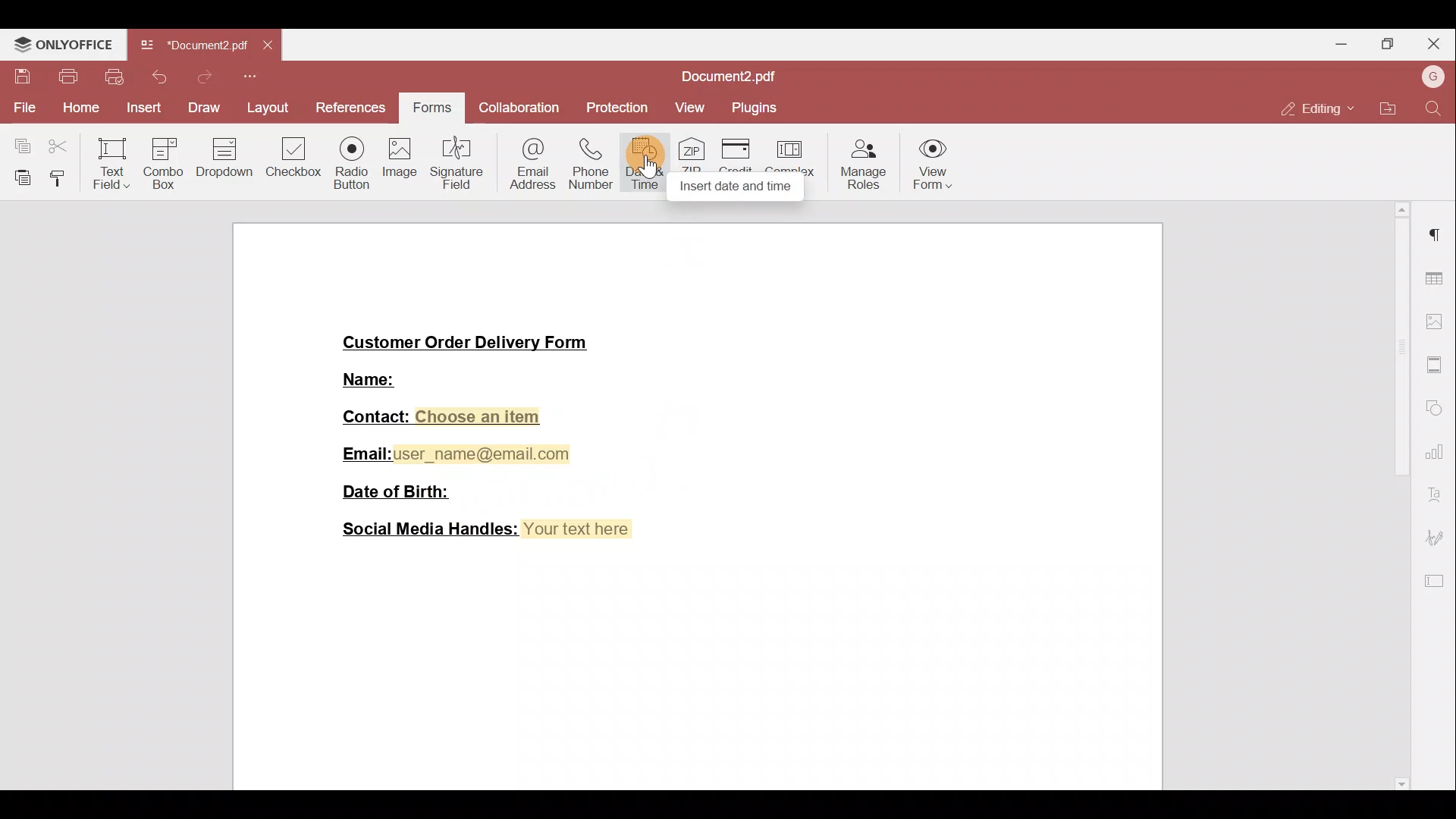 The height and width of the screenshot is (819, 1456). What do you see at coordinates (202, 107) in the screenshot?
I see `Draw` at bounding box center [202, 107].